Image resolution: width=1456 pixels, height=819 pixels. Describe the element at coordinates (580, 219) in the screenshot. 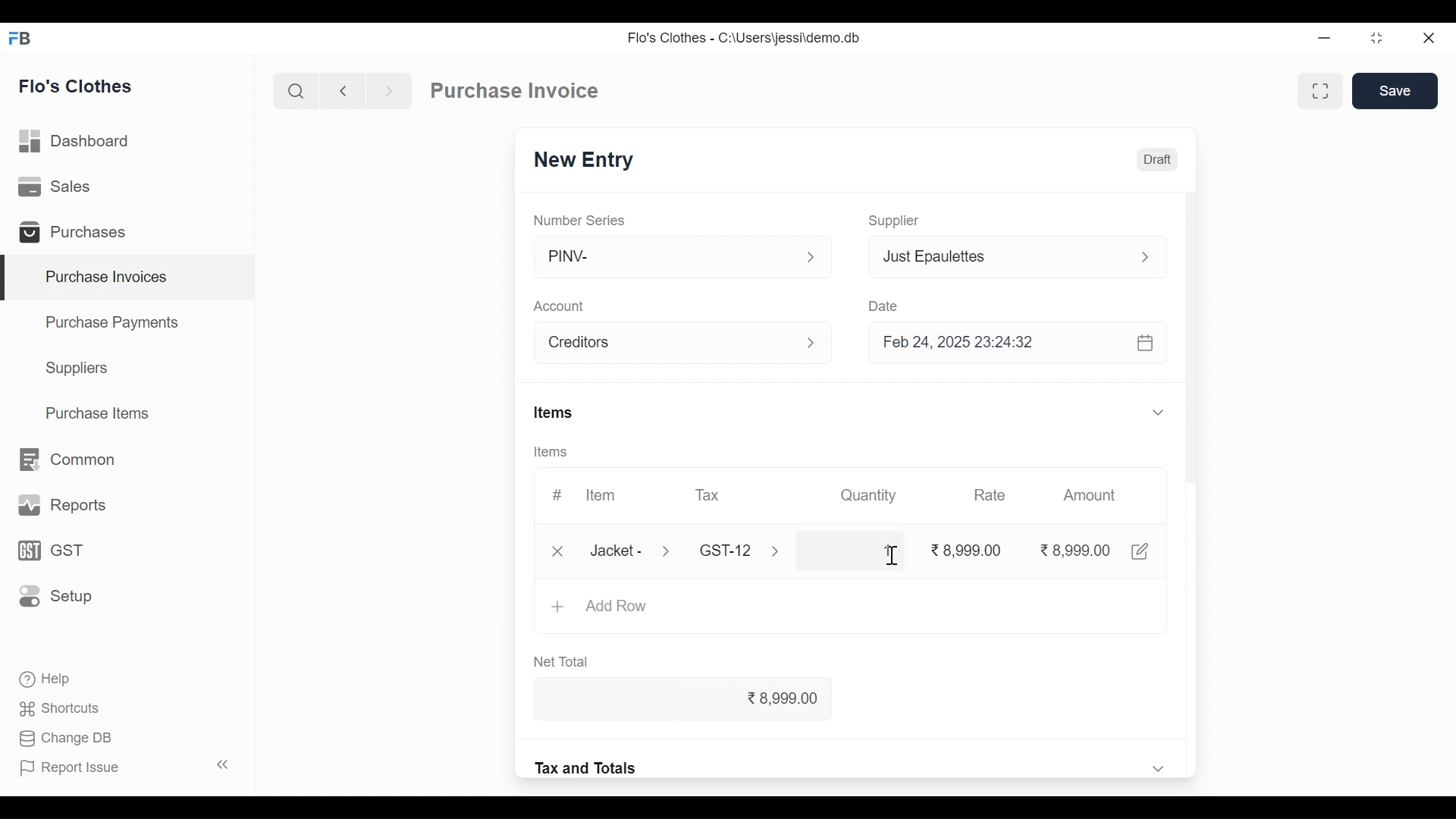

I see `Number Series` at that location.